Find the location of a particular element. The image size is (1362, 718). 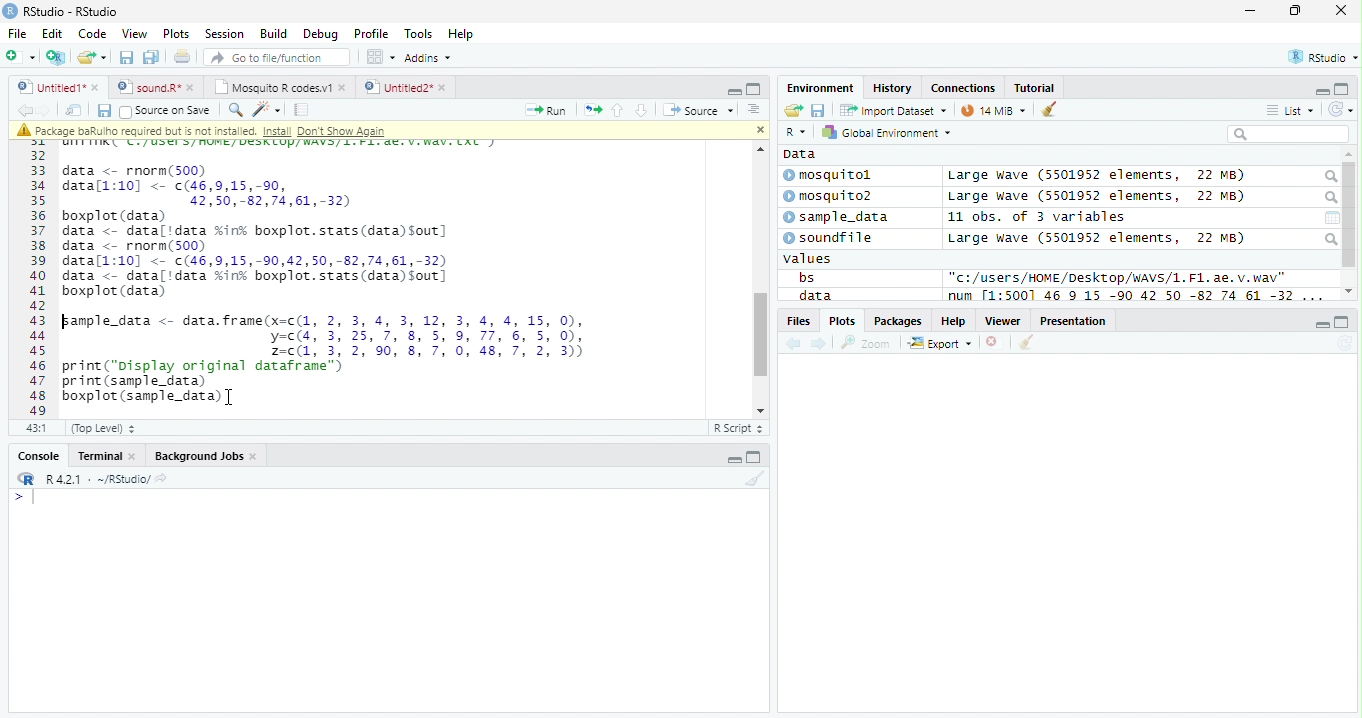

RStudio is located at coordinates (1321, 56).